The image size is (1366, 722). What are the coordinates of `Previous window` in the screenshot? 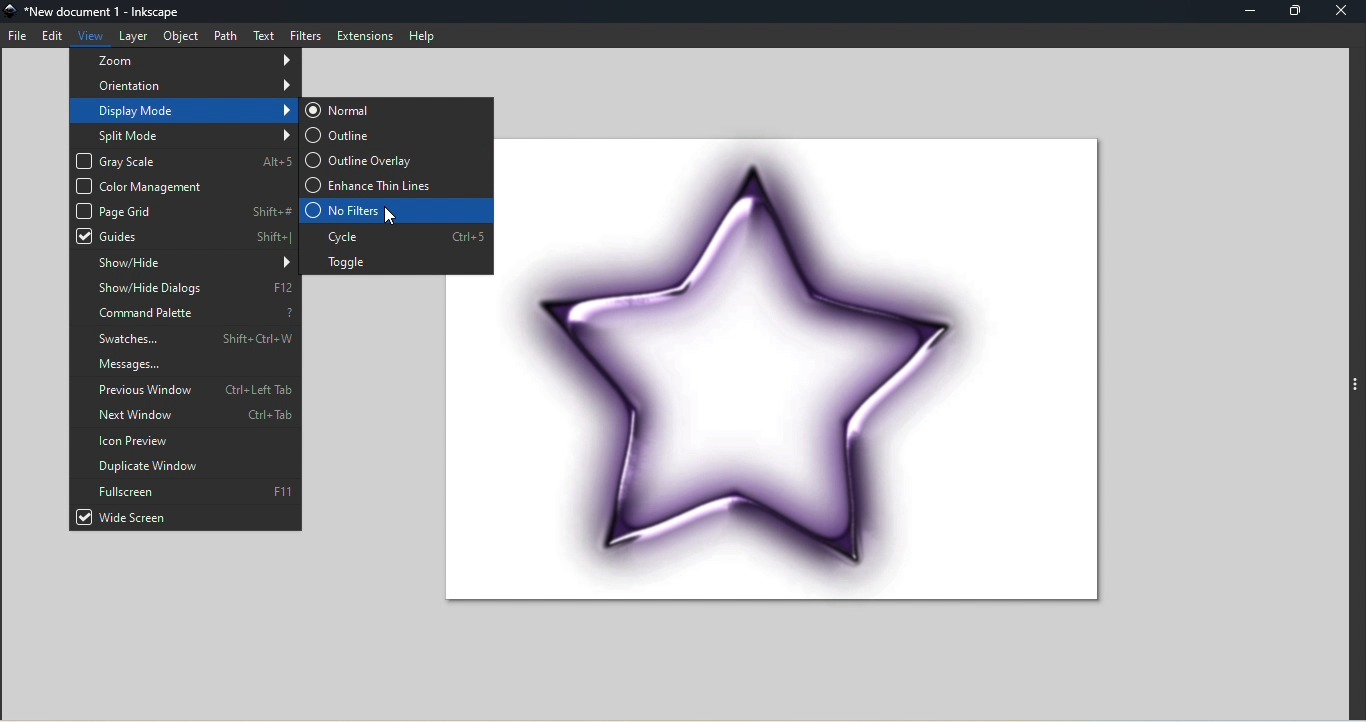 It's located at (186, 390).